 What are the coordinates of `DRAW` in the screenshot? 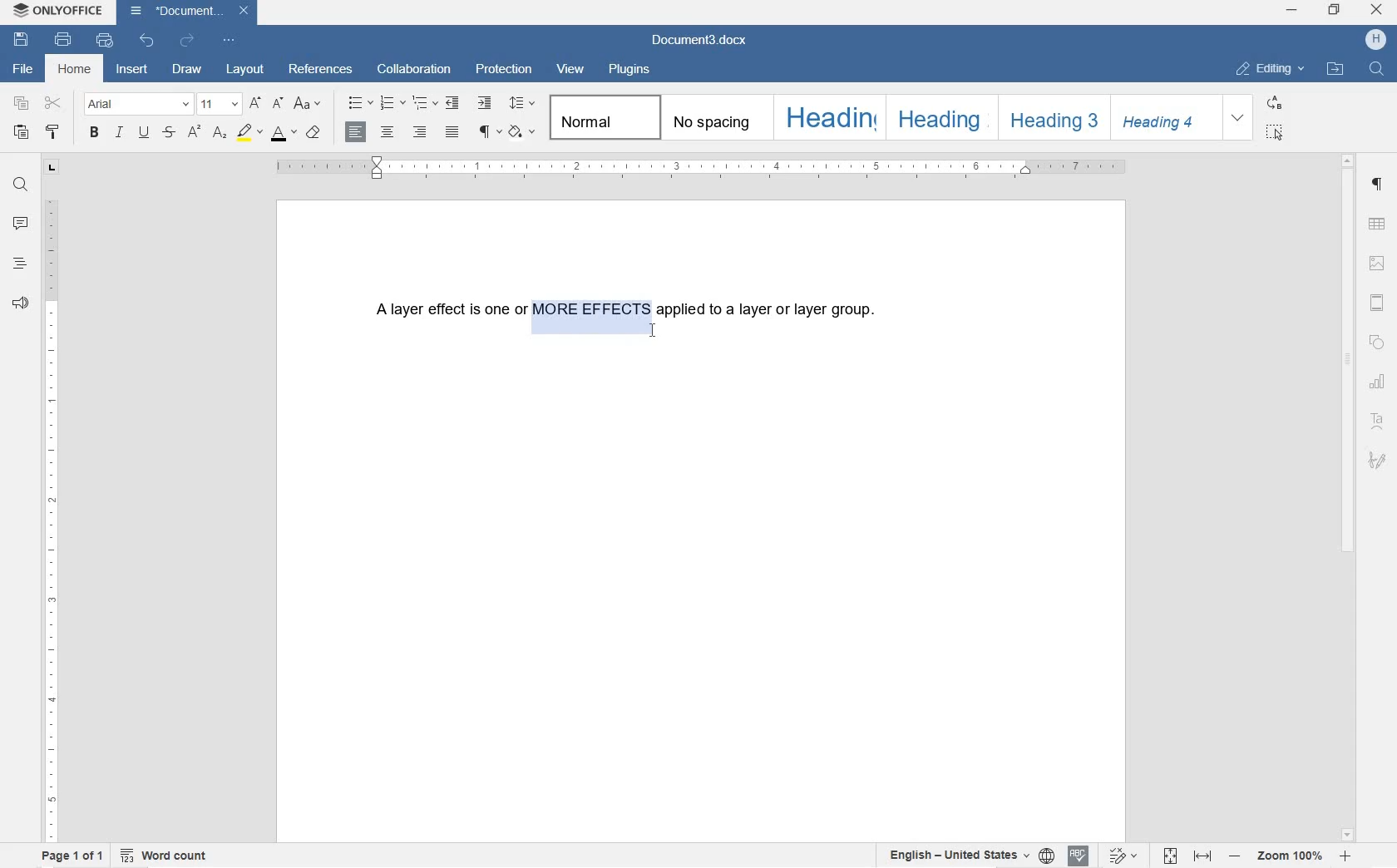 It's located at (187, 68).